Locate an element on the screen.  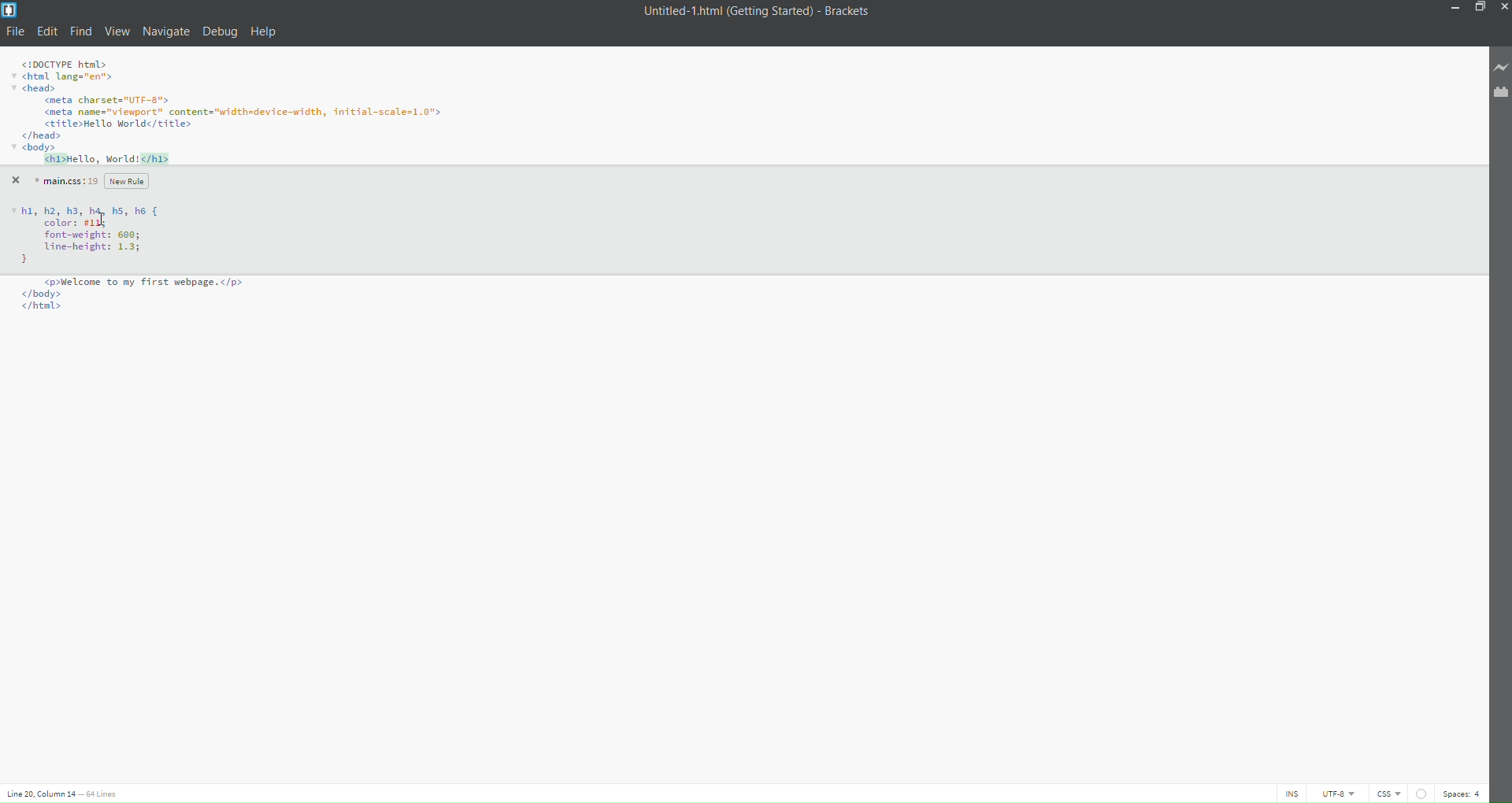
spaces is located at coordinates (1463, 792).